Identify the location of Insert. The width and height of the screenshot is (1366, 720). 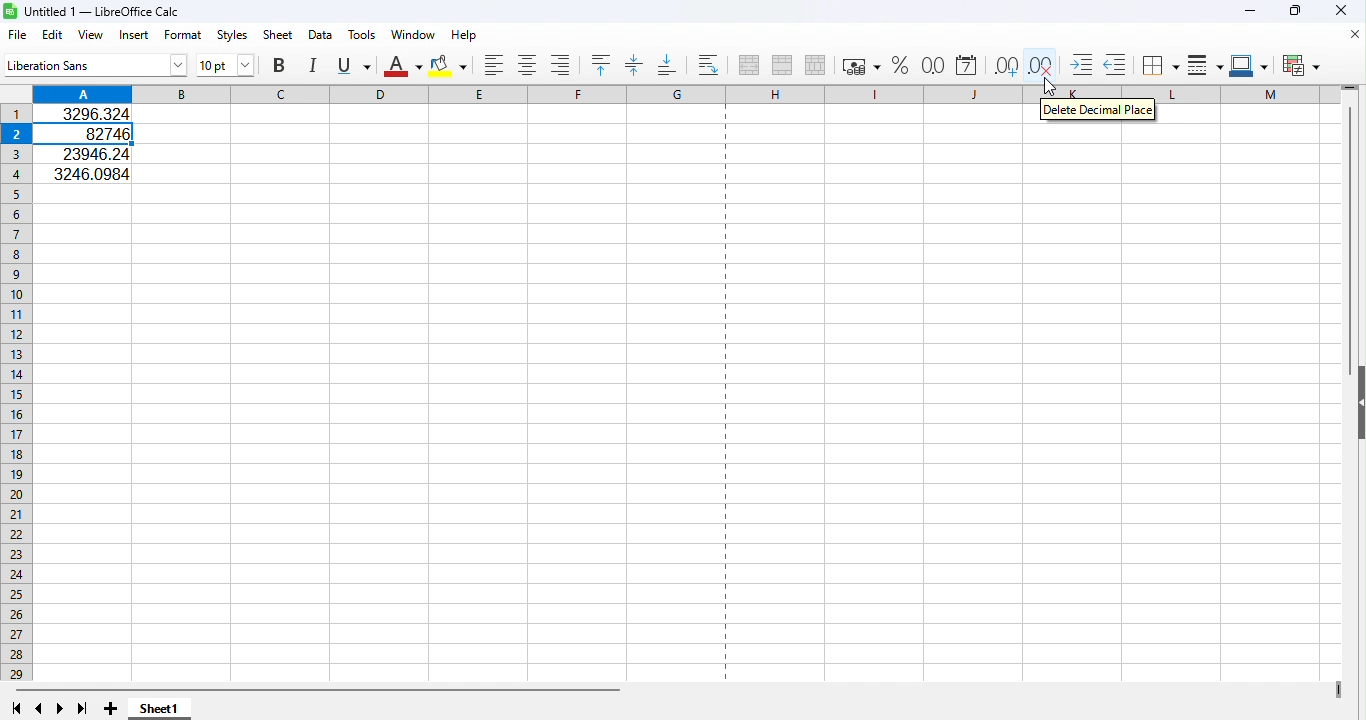
(136, 36).